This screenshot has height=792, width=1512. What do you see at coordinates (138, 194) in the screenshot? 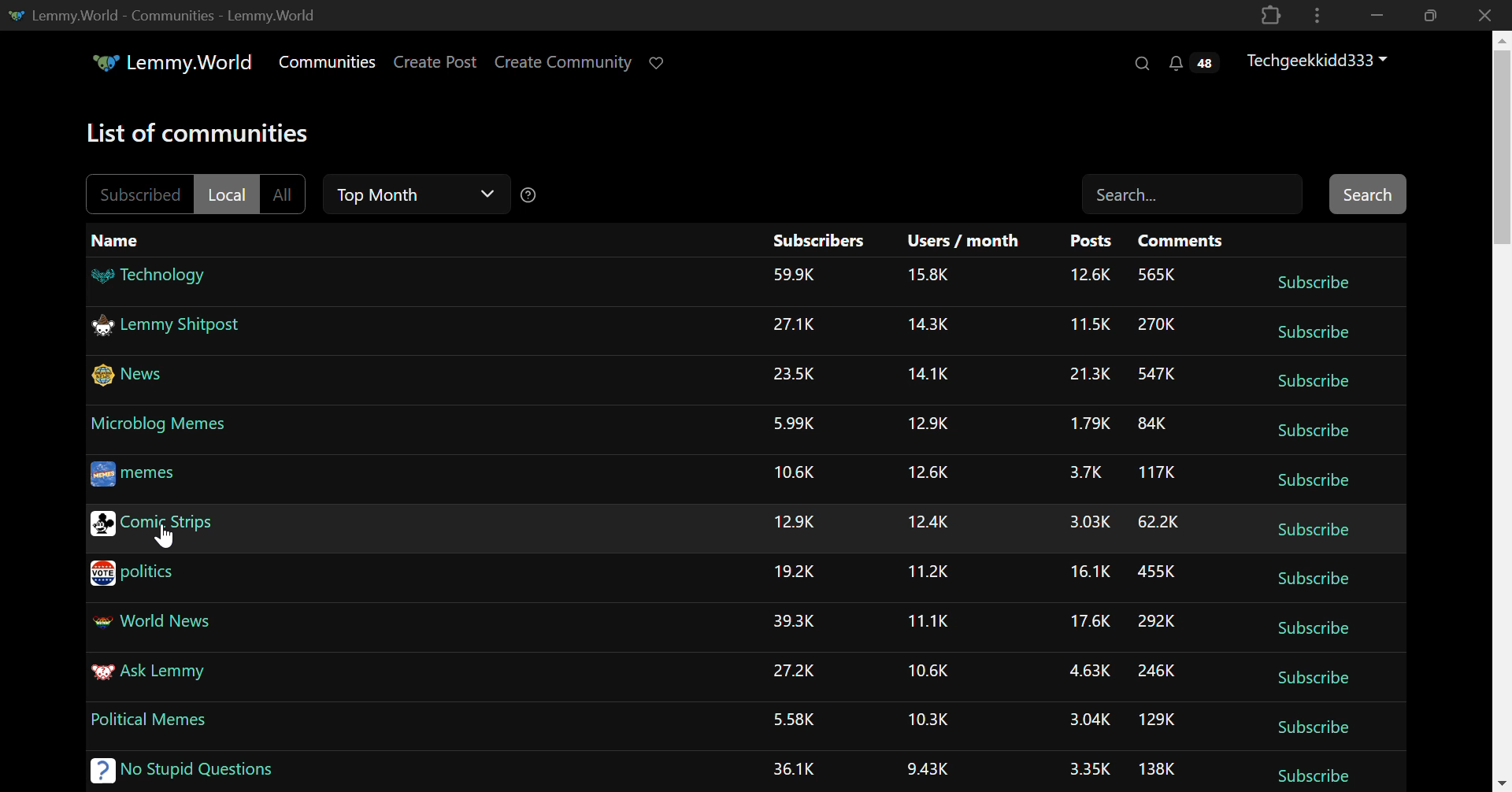
I see `Subscribed` at bounding box center [138, 194].